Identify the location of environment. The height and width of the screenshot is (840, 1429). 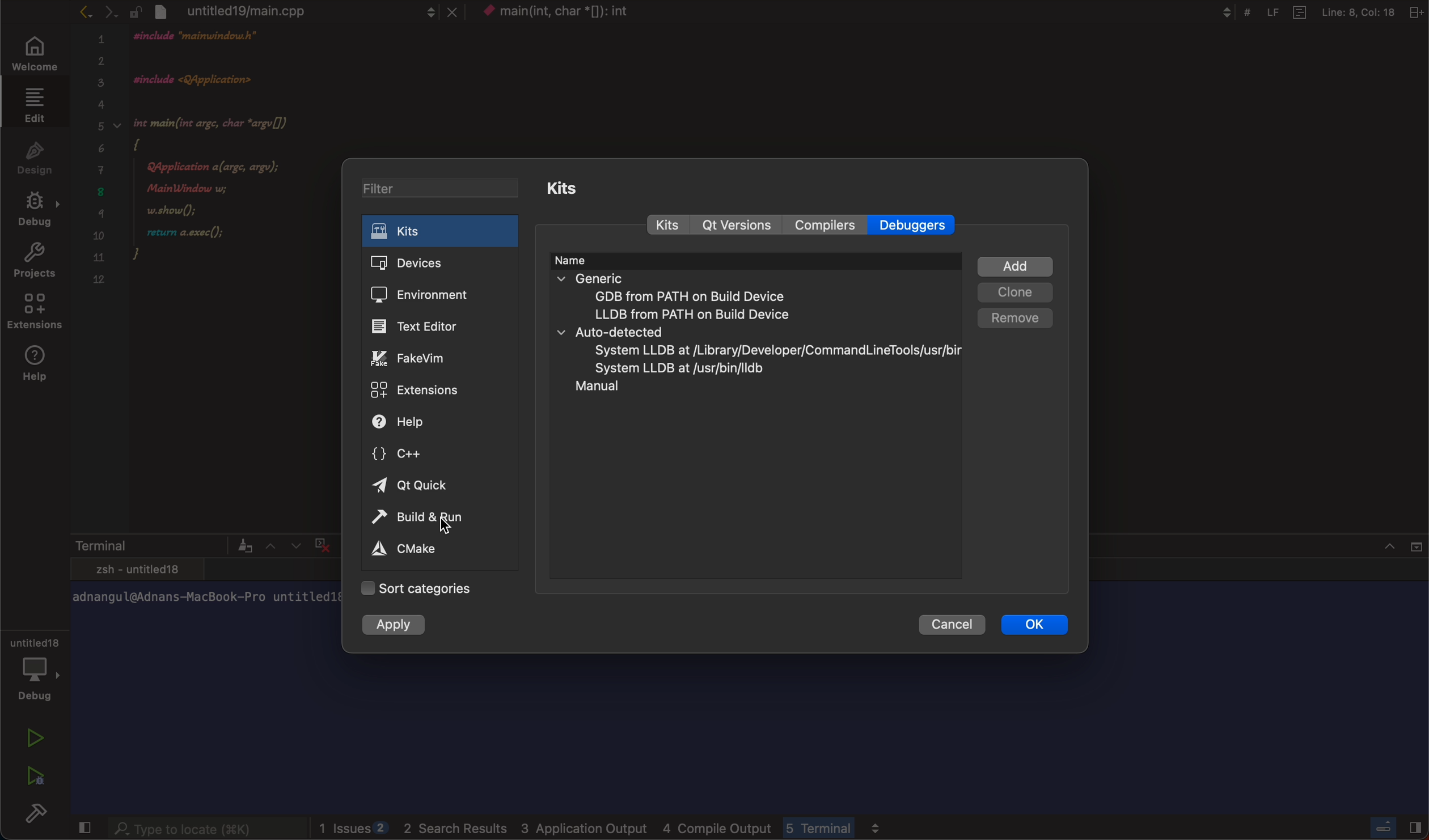
(430, 292).